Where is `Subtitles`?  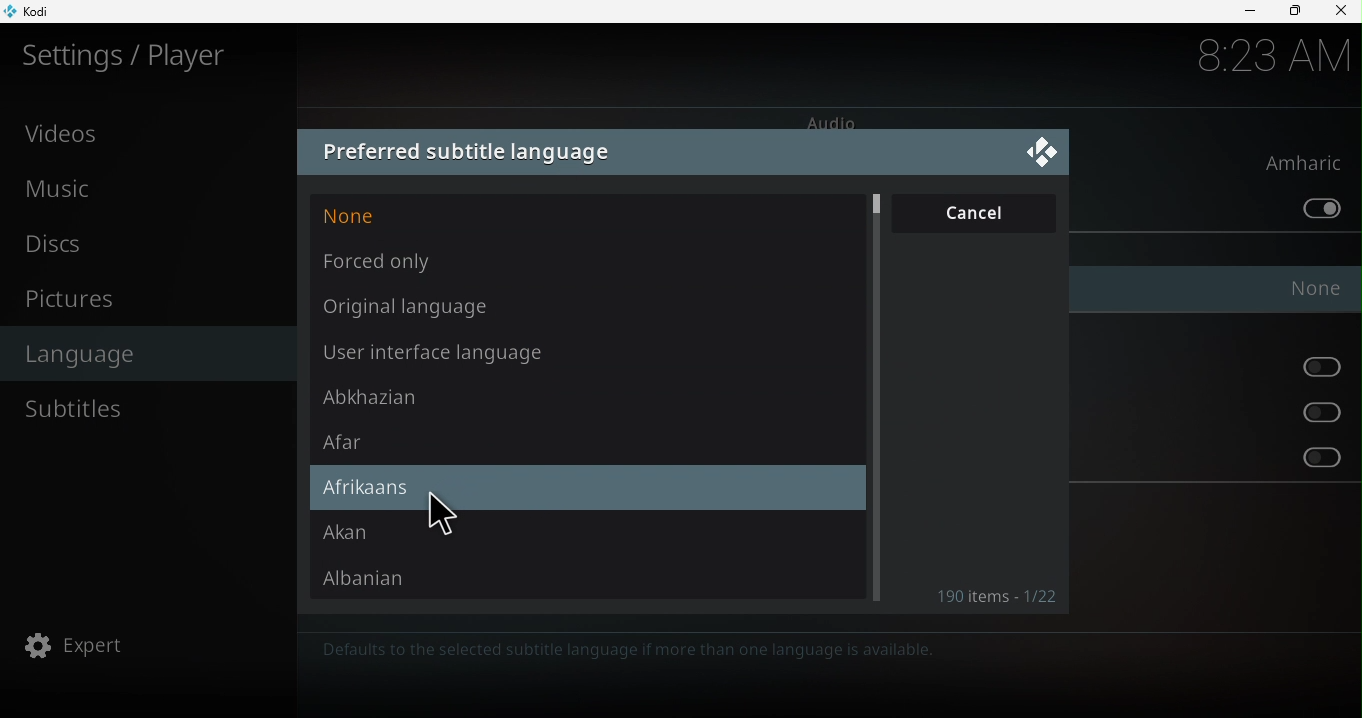
Subtitles is located at coordinates (140, 410).